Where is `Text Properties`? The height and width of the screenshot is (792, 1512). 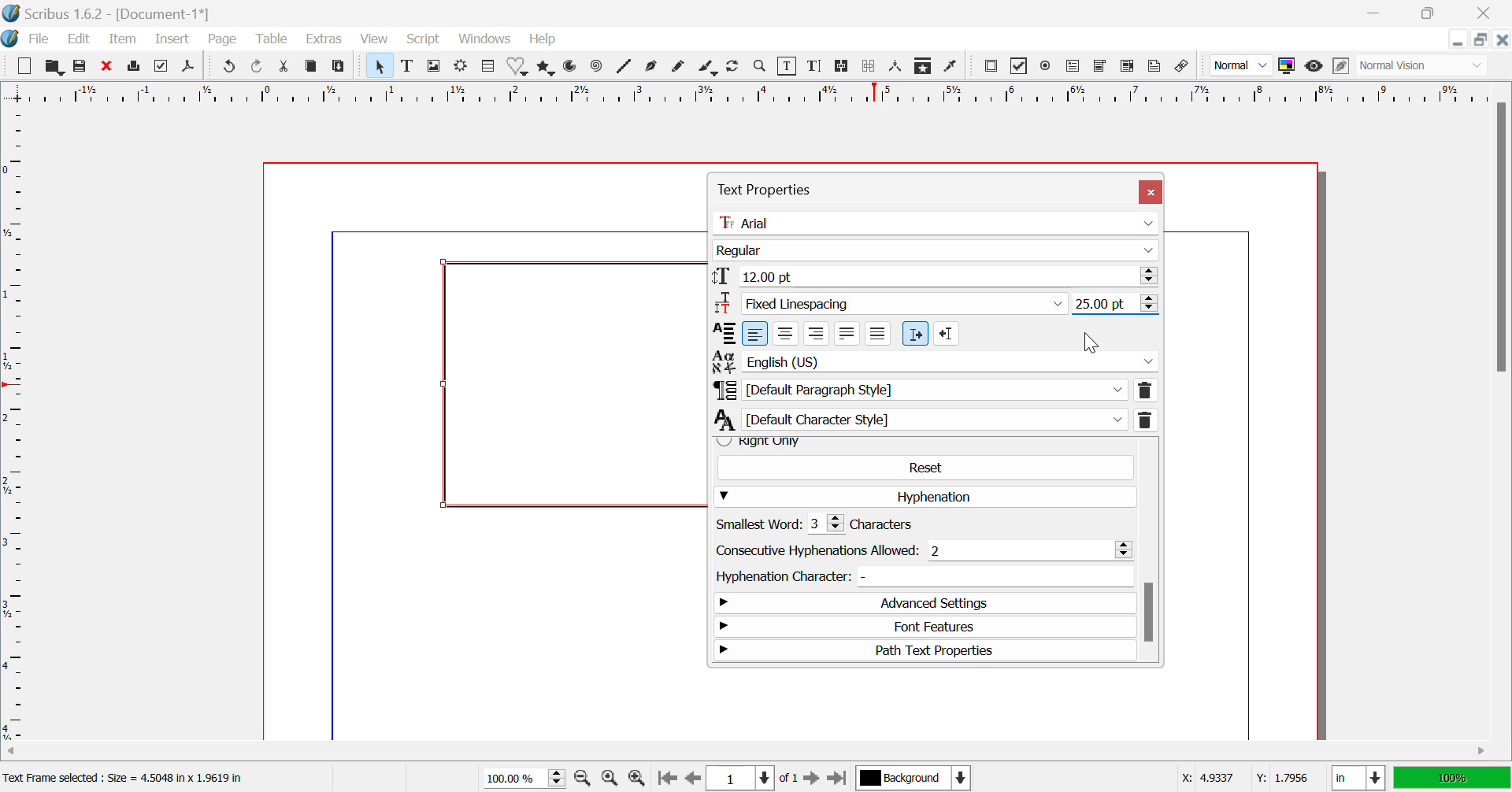
Text Properties is located at coordinates (858, 187).